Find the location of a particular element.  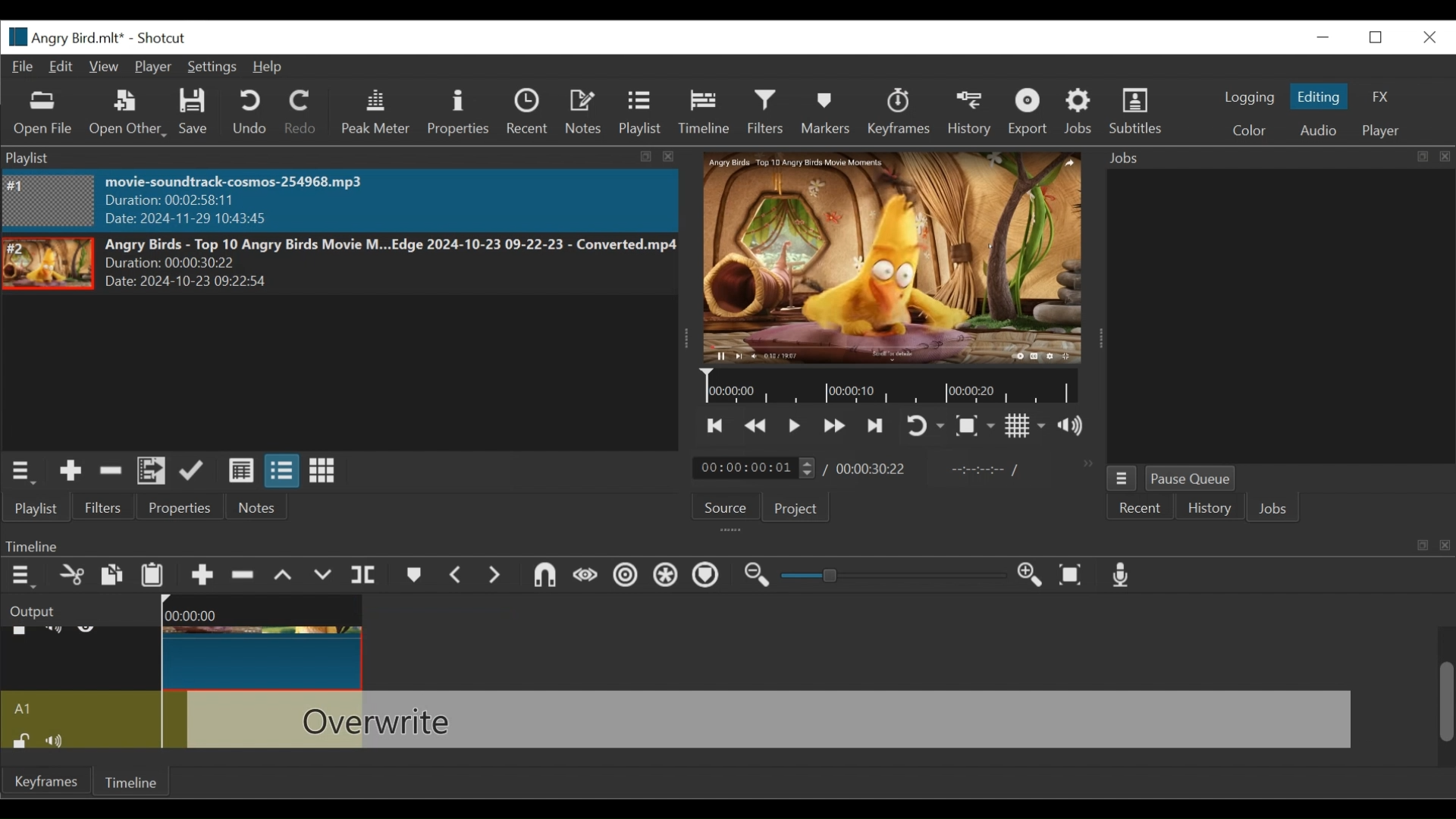

Skip to the next point is located at coordinates (877, 426).